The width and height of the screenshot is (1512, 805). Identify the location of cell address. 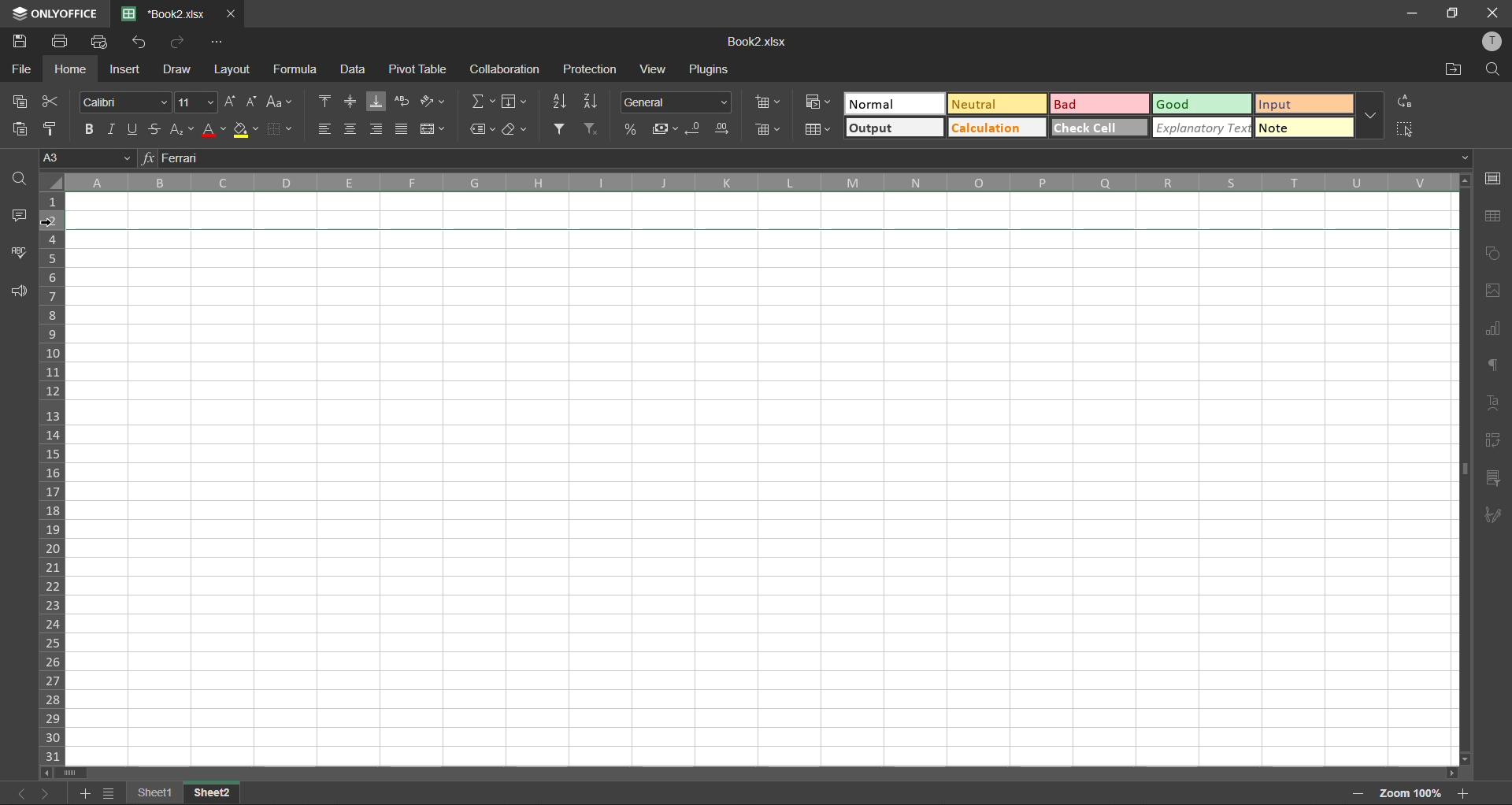
(88, 159).